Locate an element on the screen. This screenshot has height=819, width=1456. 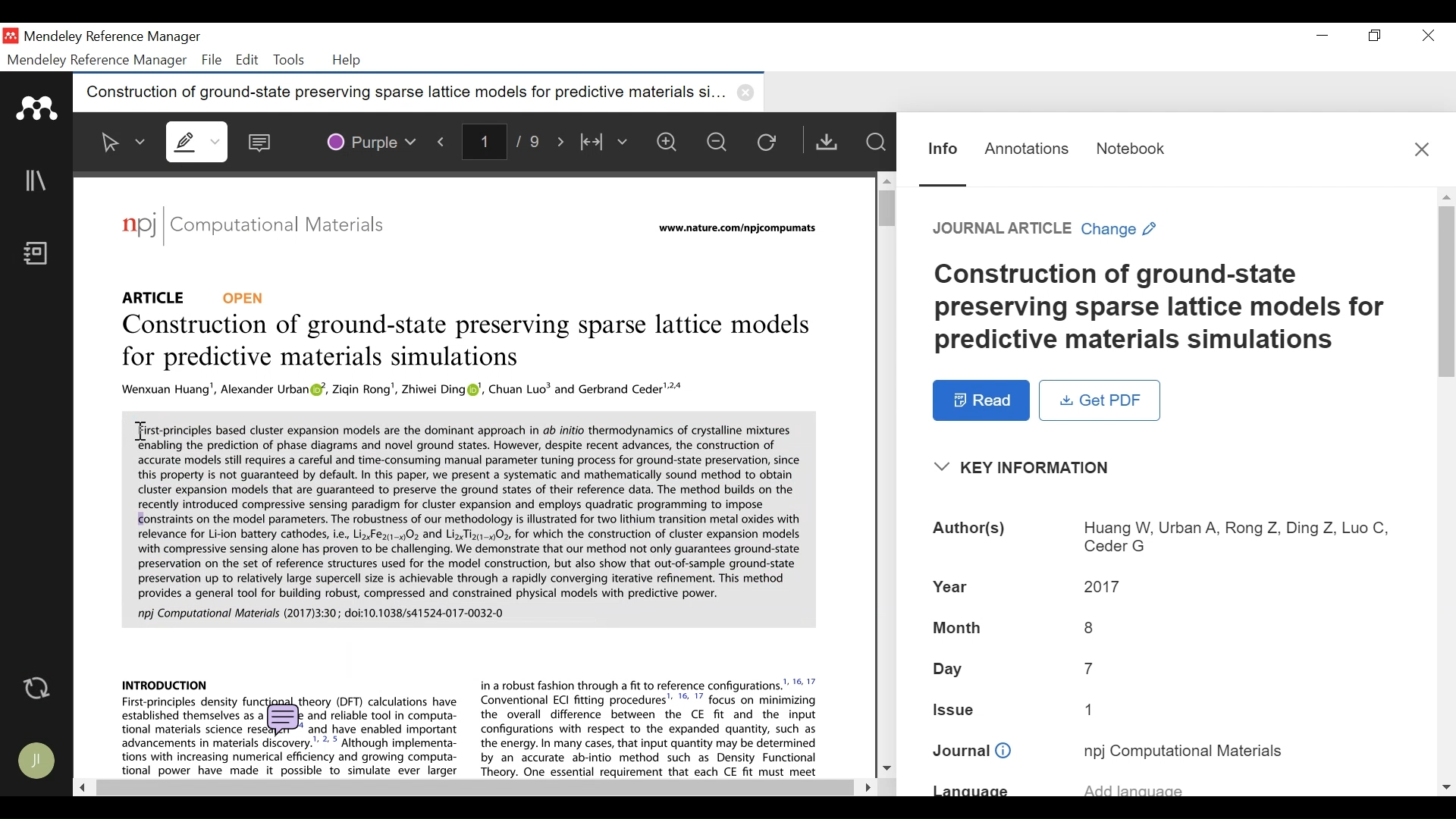
Scroll up is located at coordinates (1446, 196).